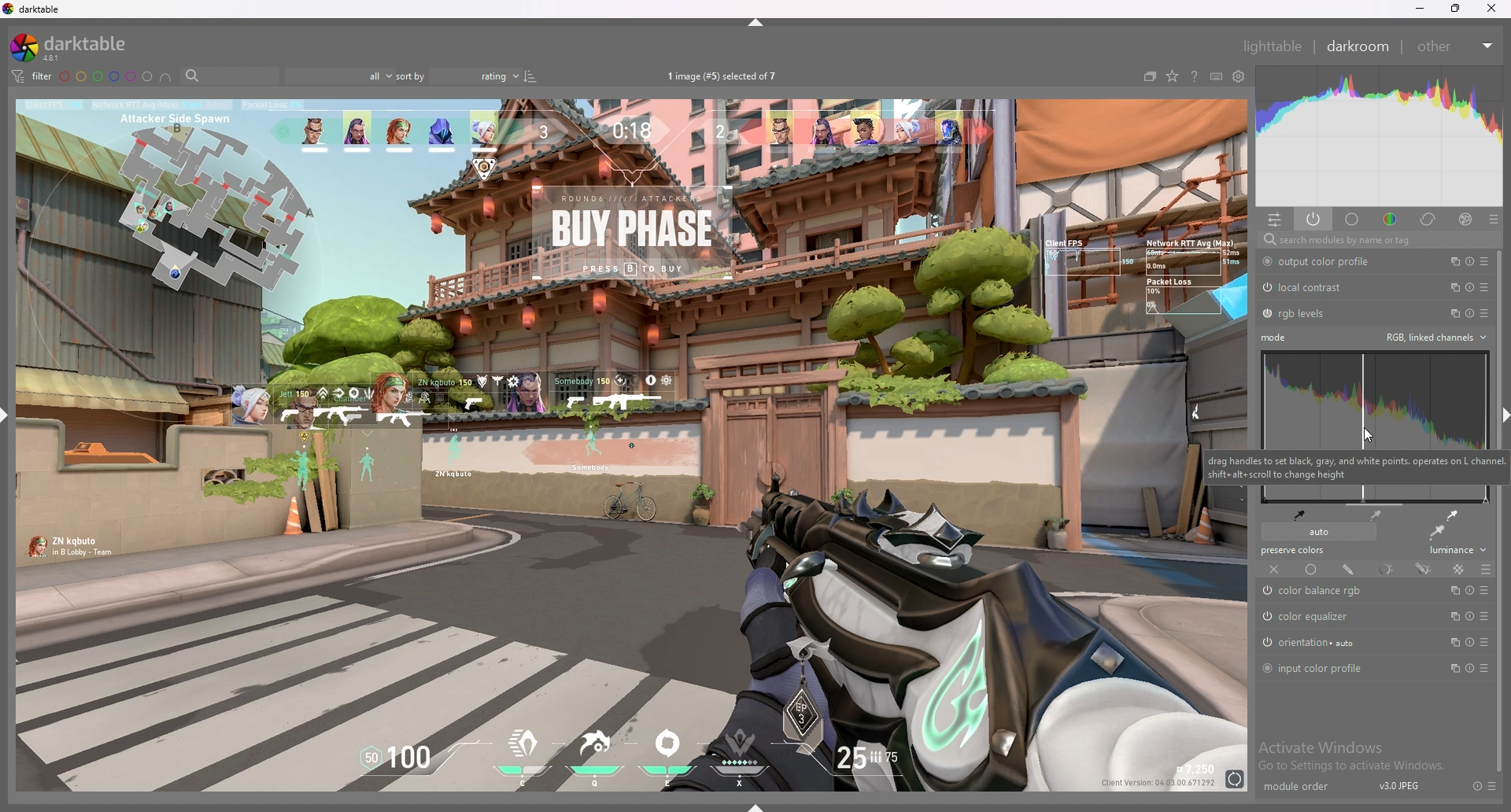 This screenshot has width=1511, height=812. What do you see at coordinates (1295, 788) in the screenshot?
I see `module order` at bounding box center [1295, 788].